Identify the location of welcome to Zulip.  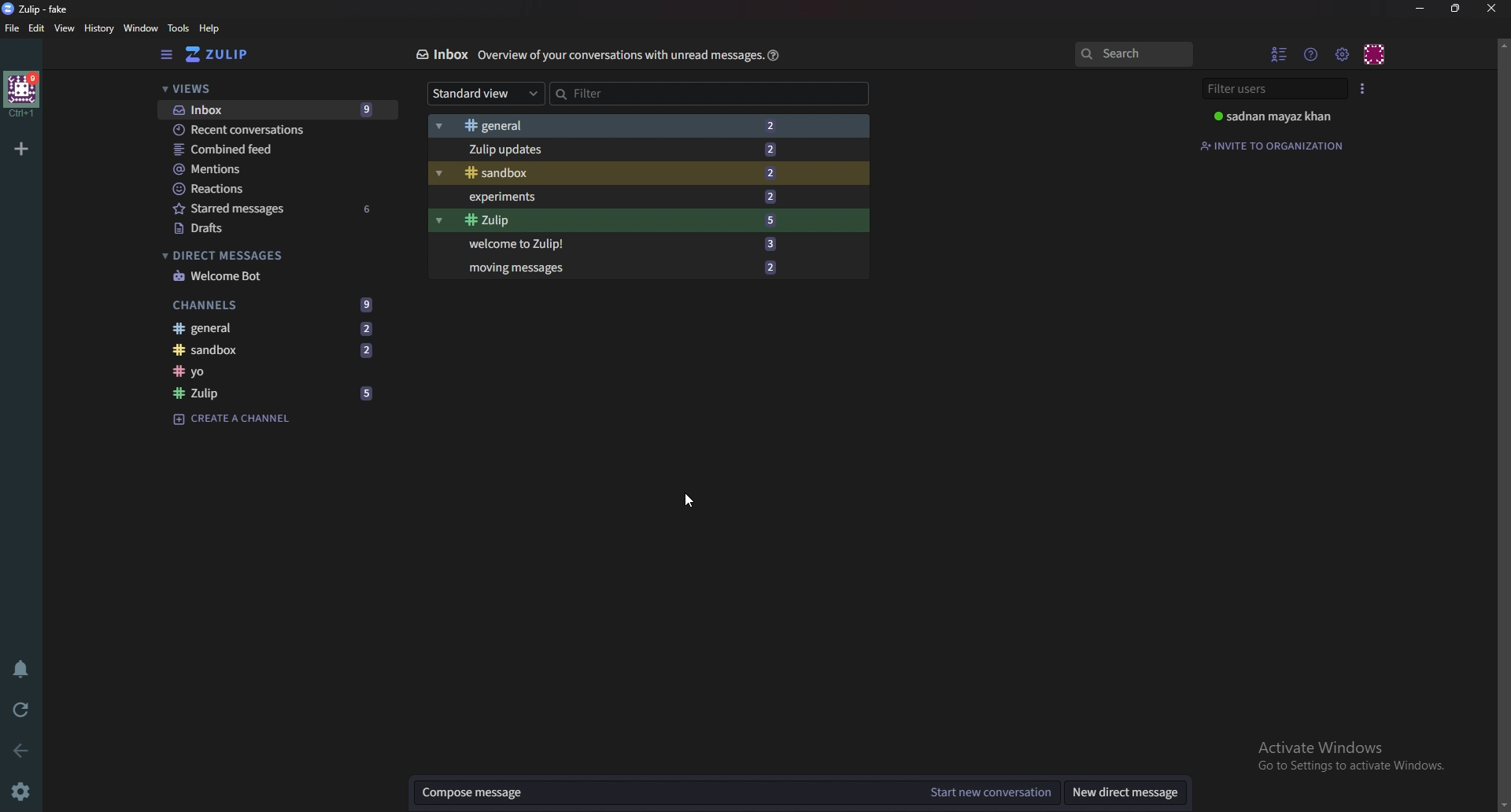
(628, 246).